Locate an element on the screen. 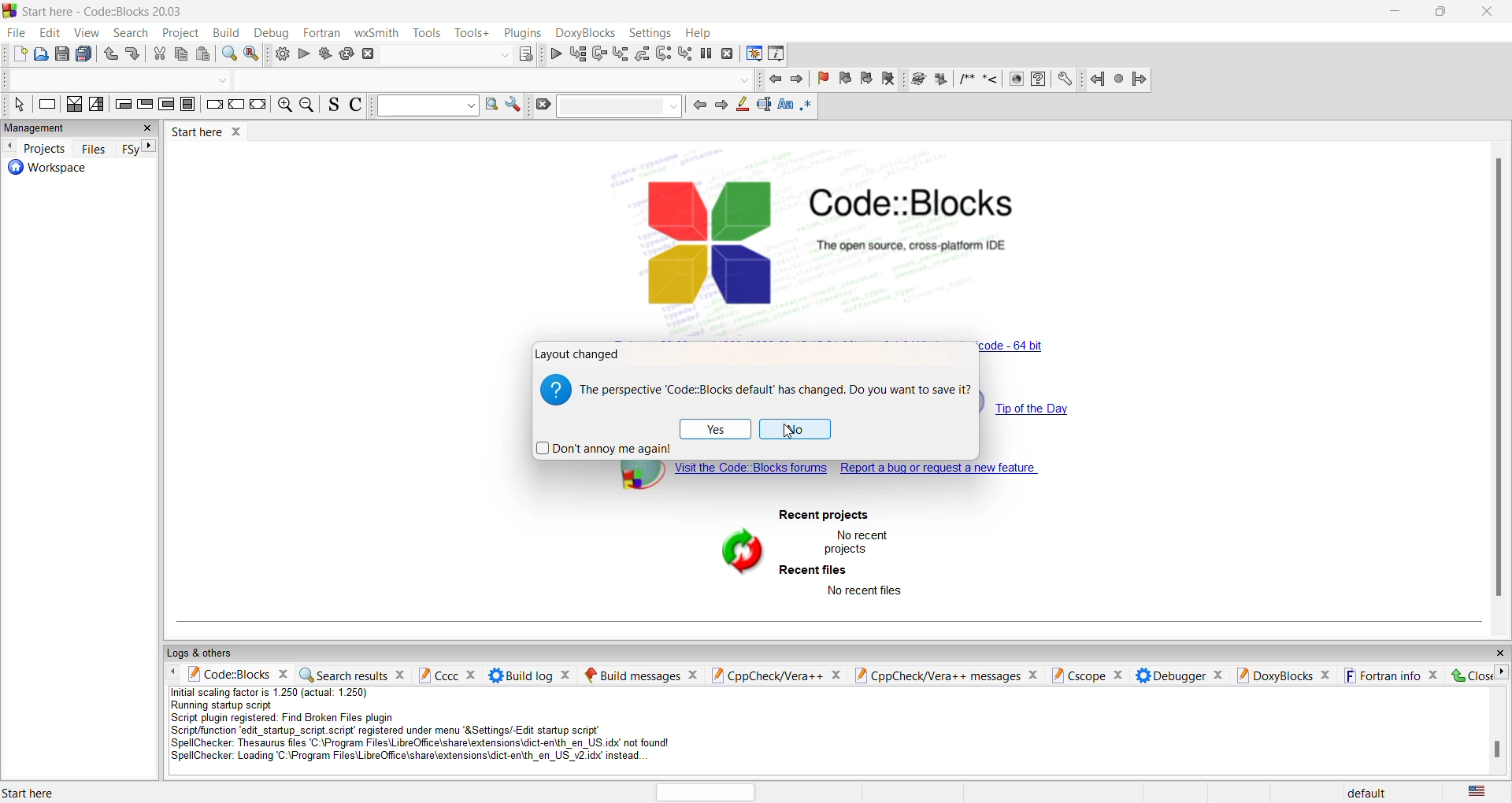  scrollbar is located at coordinates (1499, 381).